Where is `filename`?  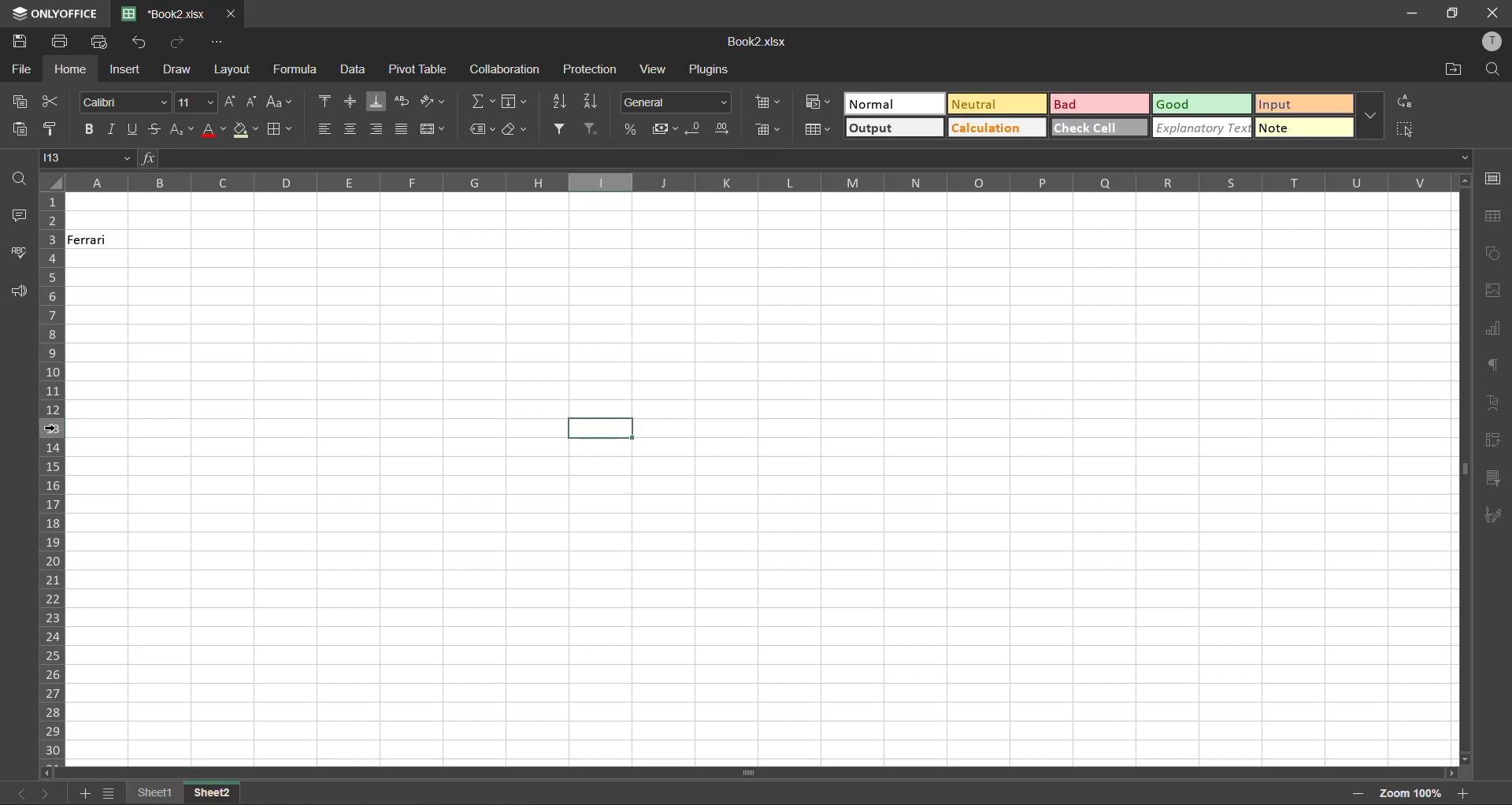 filename is located at coordinates (170, 14).